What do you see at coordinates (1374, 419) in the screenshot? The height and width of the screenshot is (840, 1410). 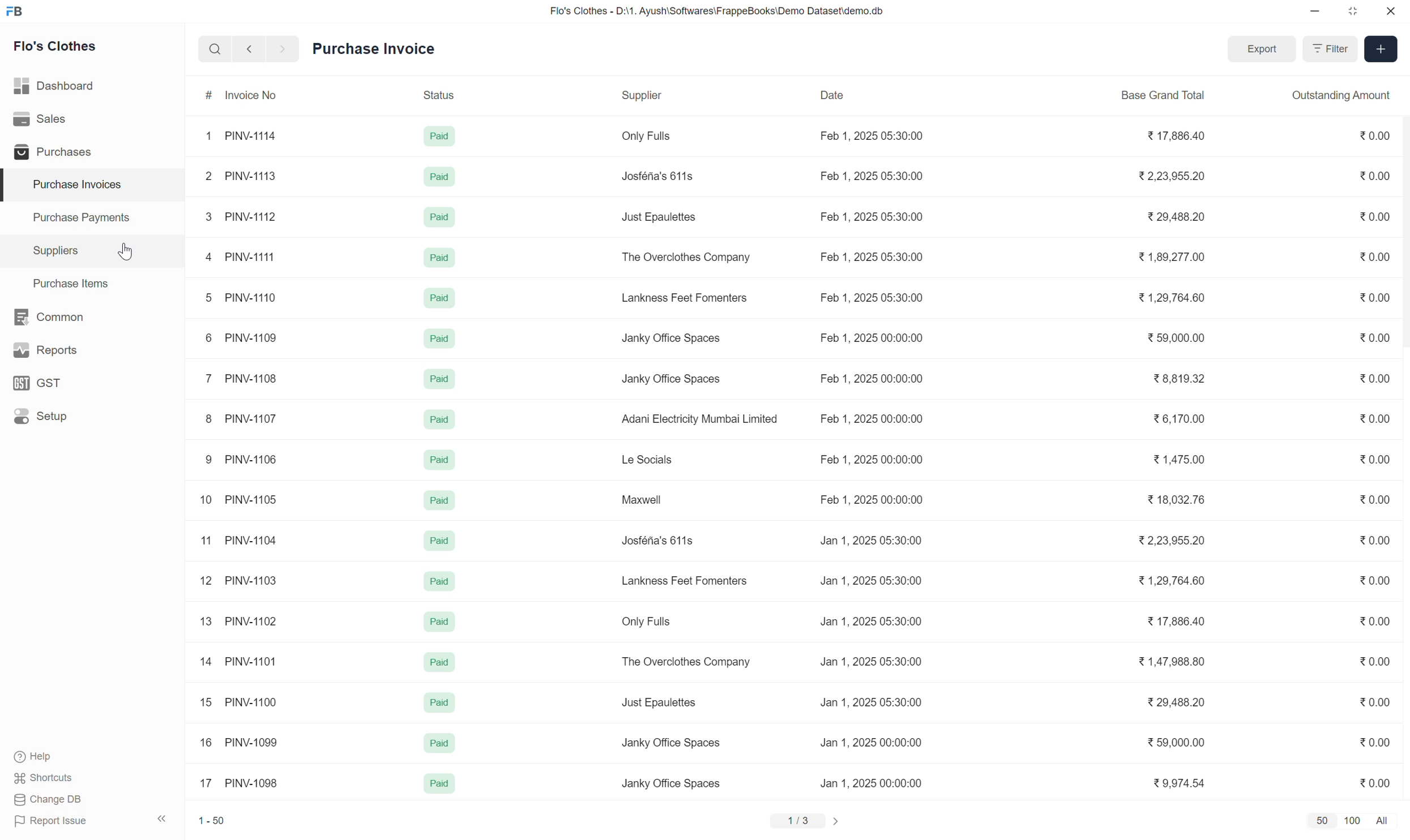 I see `0.00` at bounding box center [1374, 419].